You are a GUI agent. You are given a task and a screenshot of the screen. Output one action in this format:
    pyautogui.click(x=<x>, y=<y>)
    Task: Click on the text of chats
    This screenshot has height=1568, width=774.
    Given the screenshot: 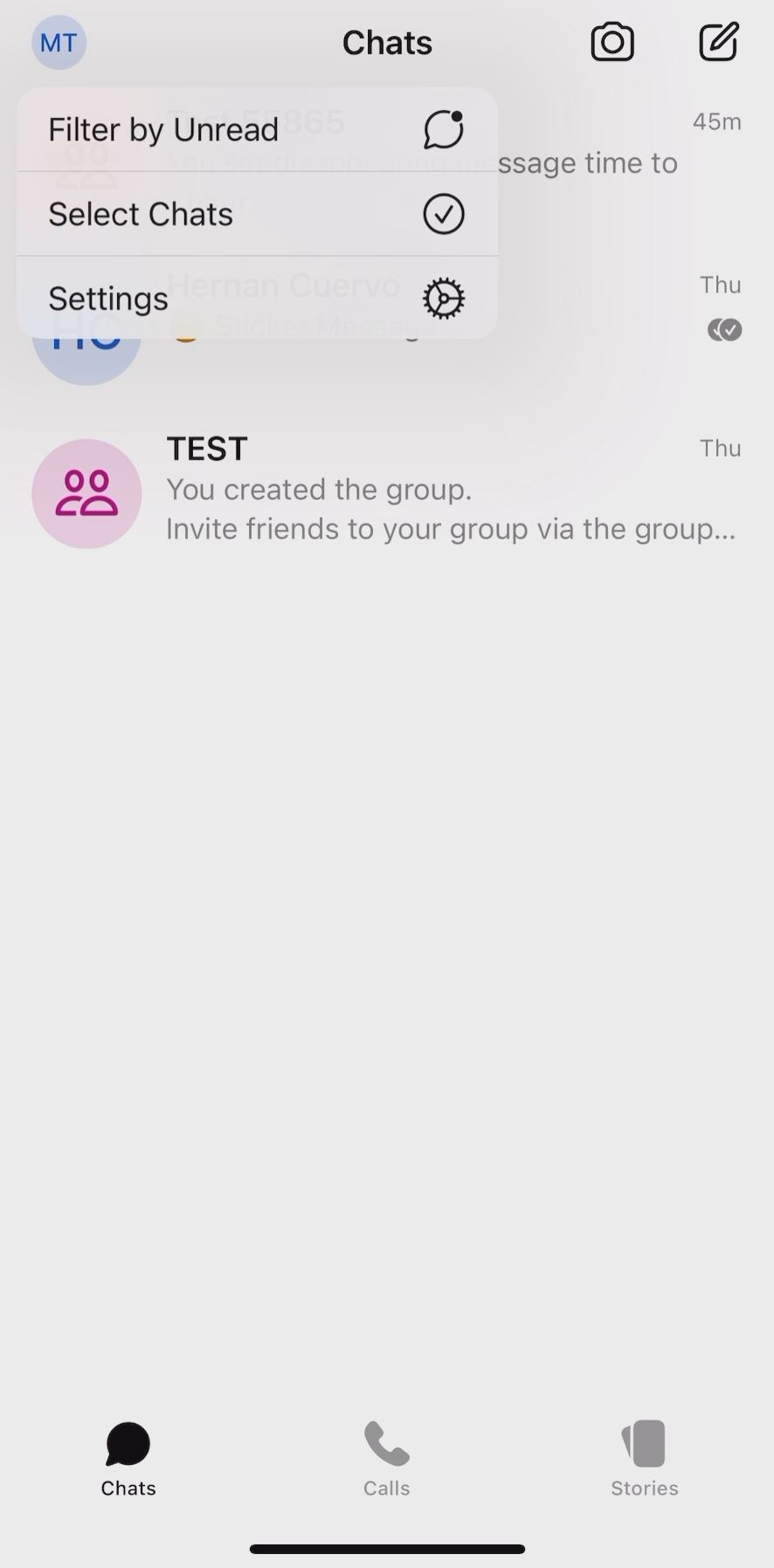 What is the action you would take?
    pyautogui.click(x=625, y=225)
    